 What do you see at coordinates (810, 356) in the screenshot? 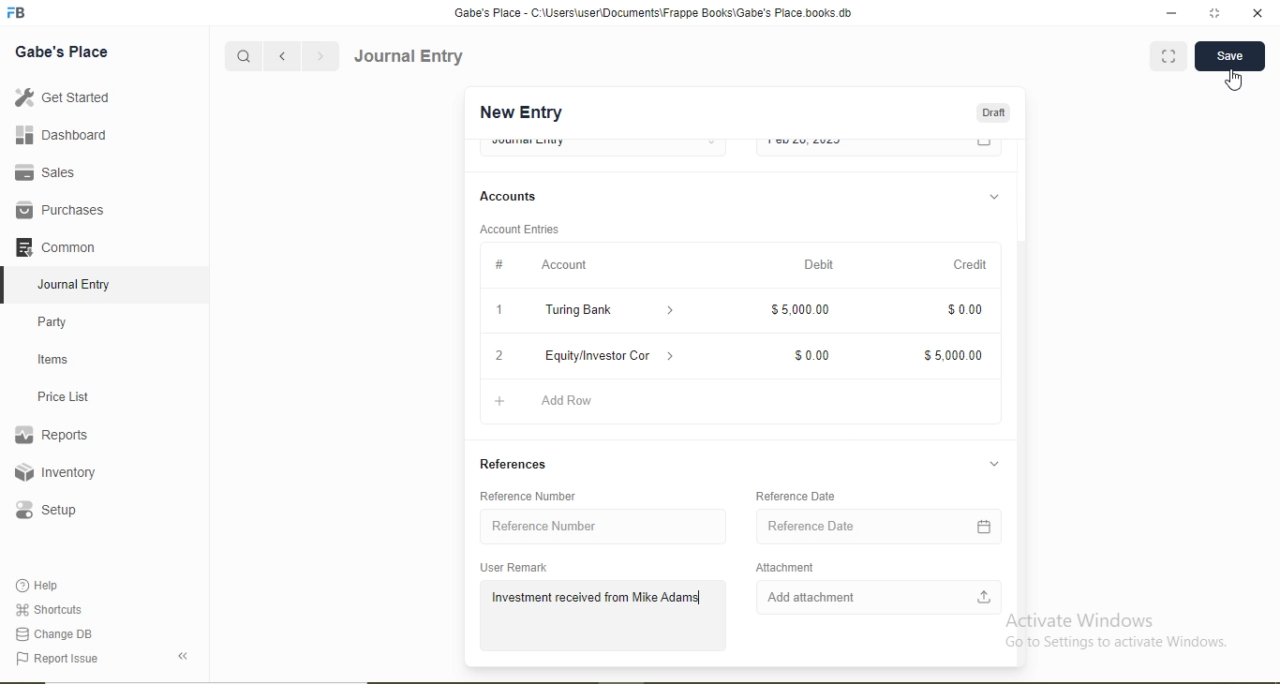
I see `$0.00` at bounding box center [810, 356].